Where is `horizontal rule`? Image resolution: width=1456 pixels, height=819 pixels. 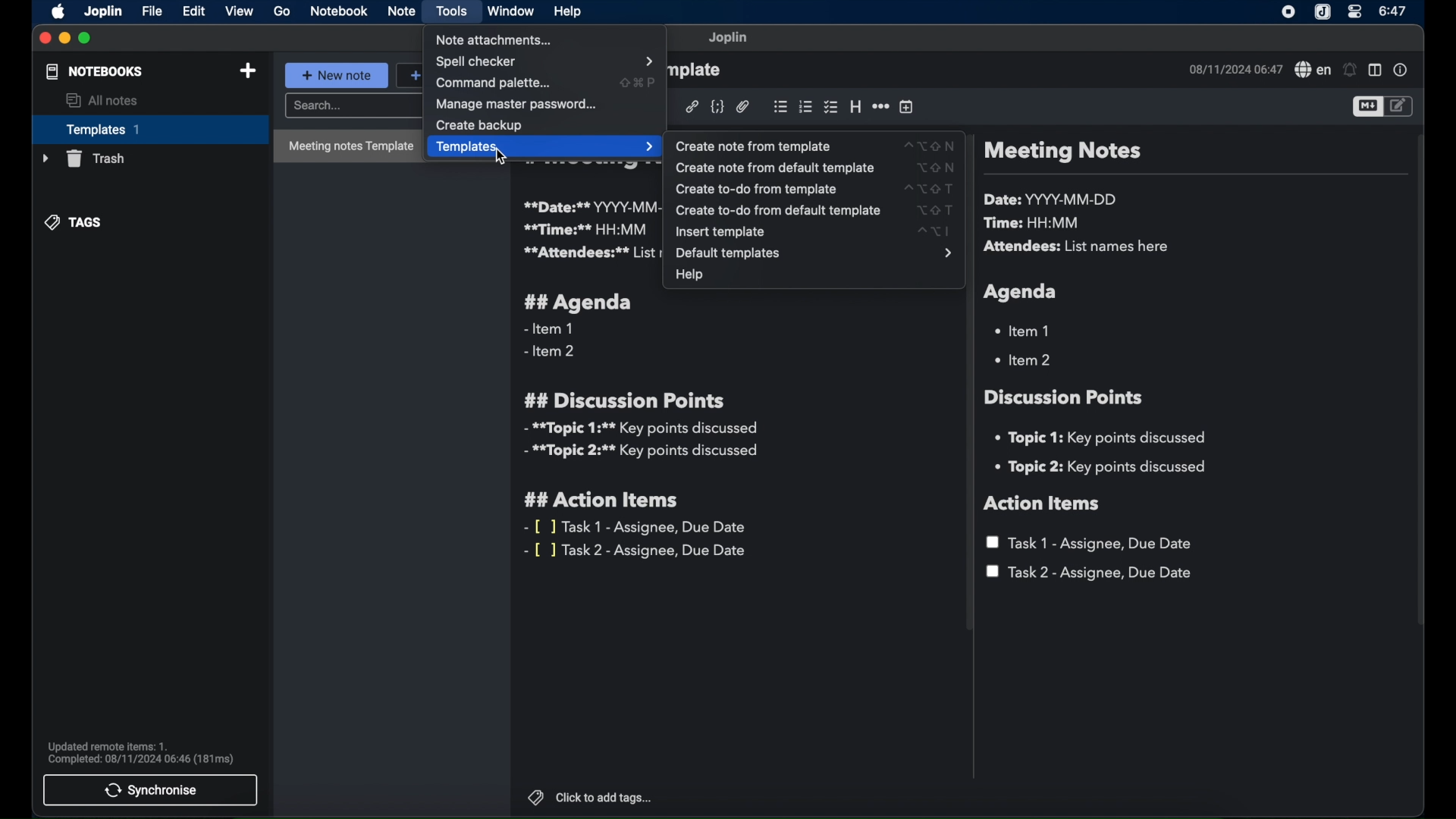 horizontal rule is located at coordinates (880, 105).